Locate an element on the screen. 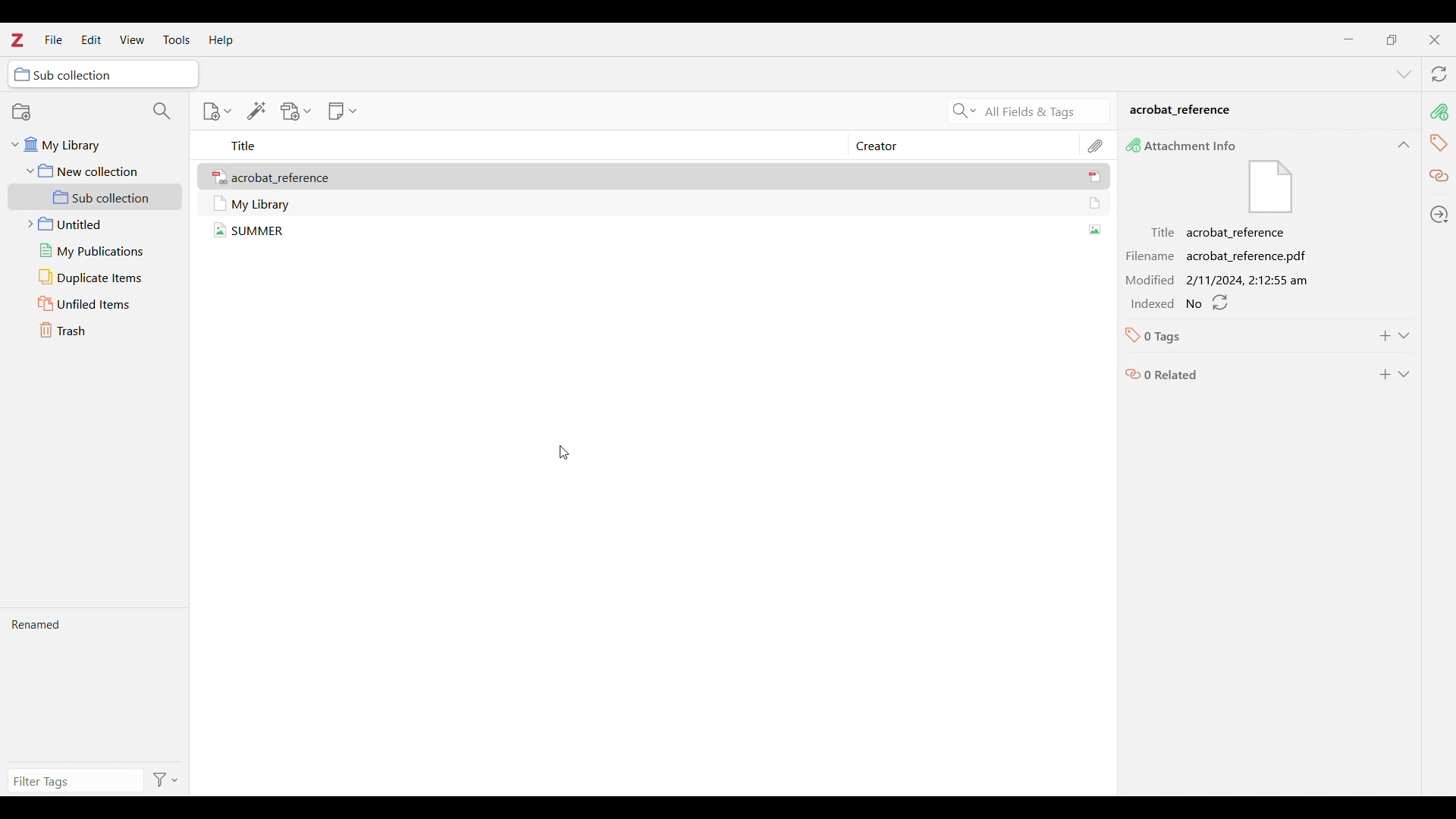 The height and width of the screenshot is (819, 1456). Files in selected folder is located at coordinates (657, 206).